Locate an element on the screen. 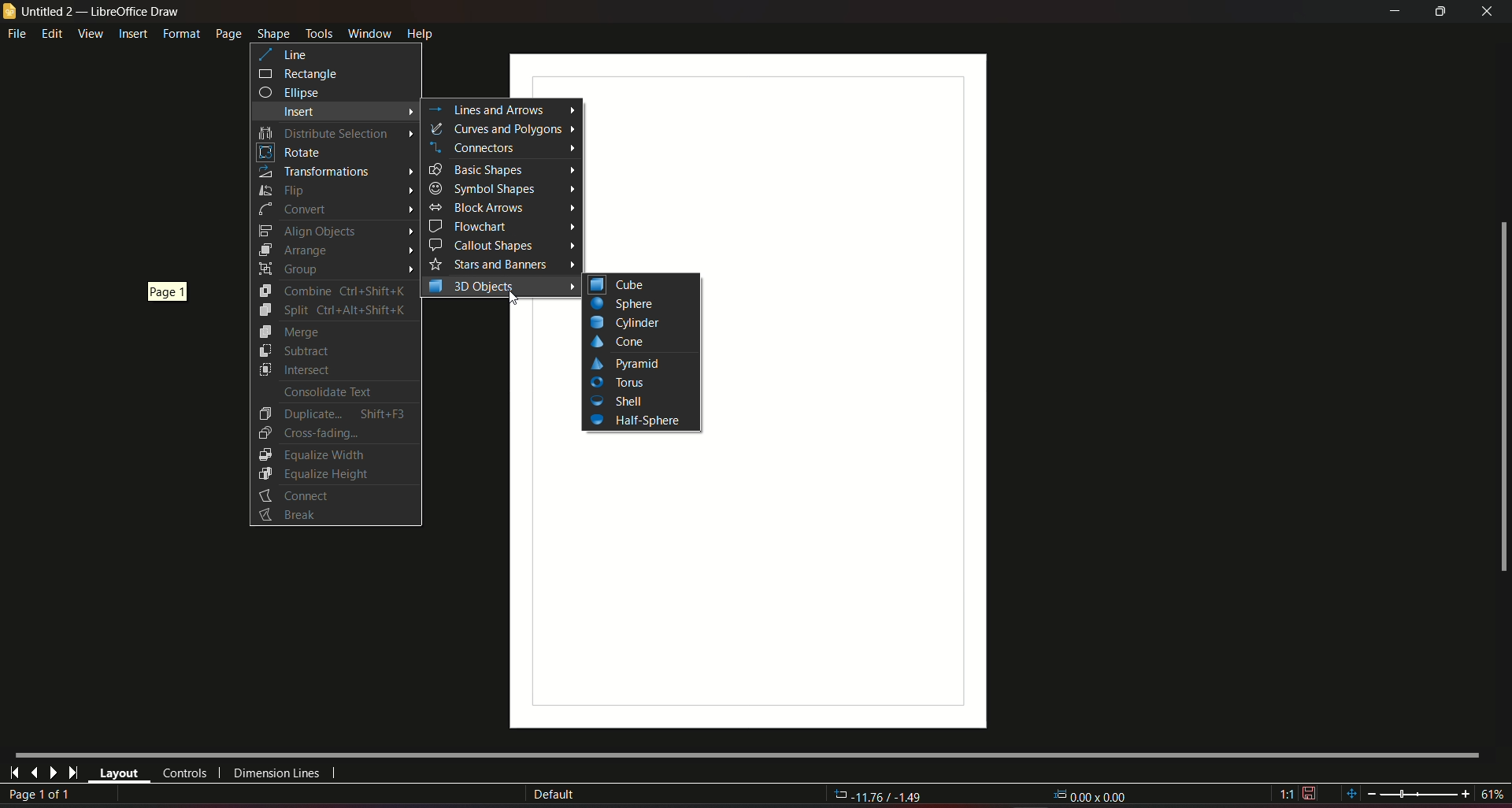  shape is located at coordinates (272, 32).